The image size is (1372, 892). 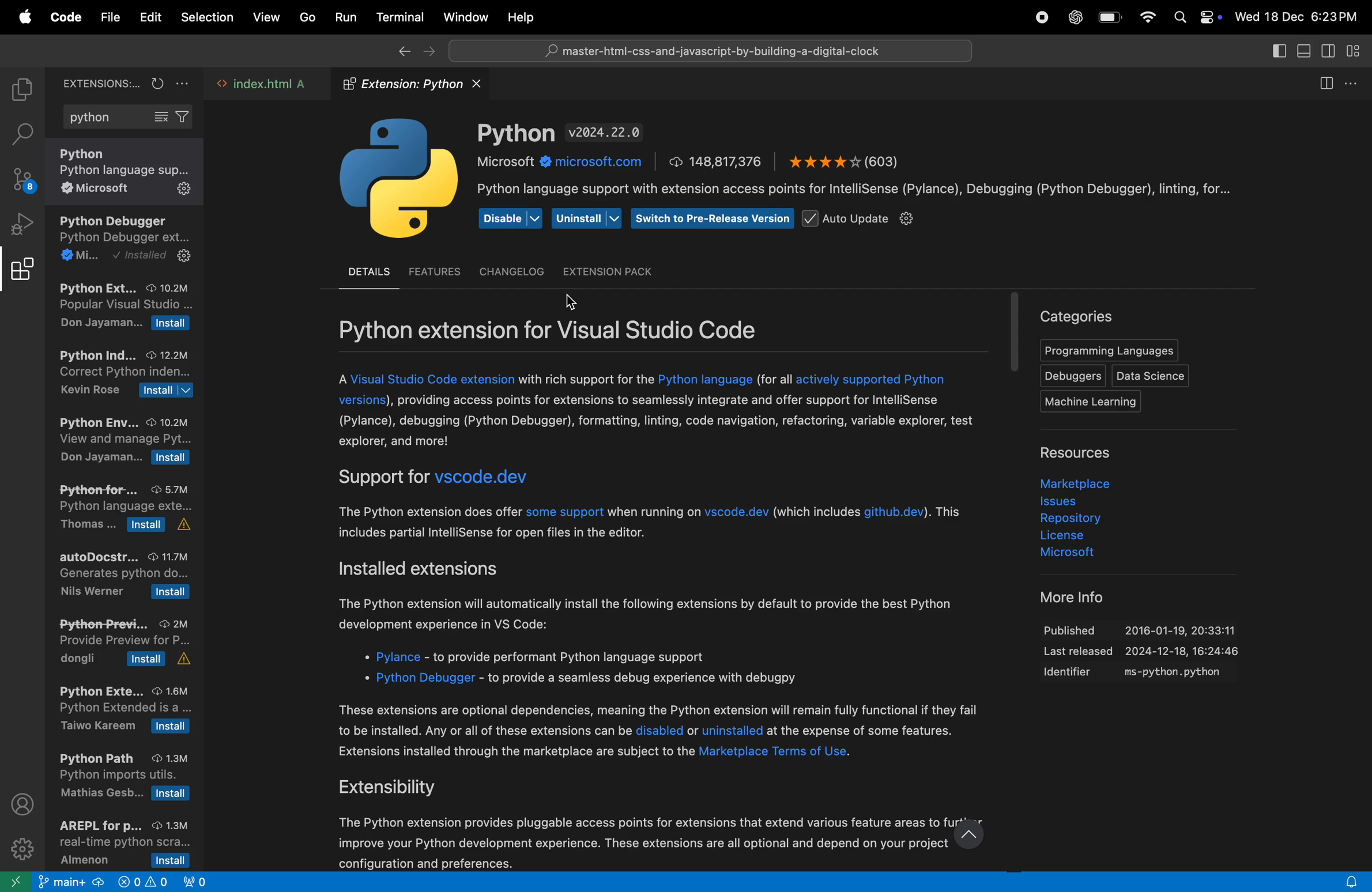 I want to click on extension pack, so click(x=606, y=271).